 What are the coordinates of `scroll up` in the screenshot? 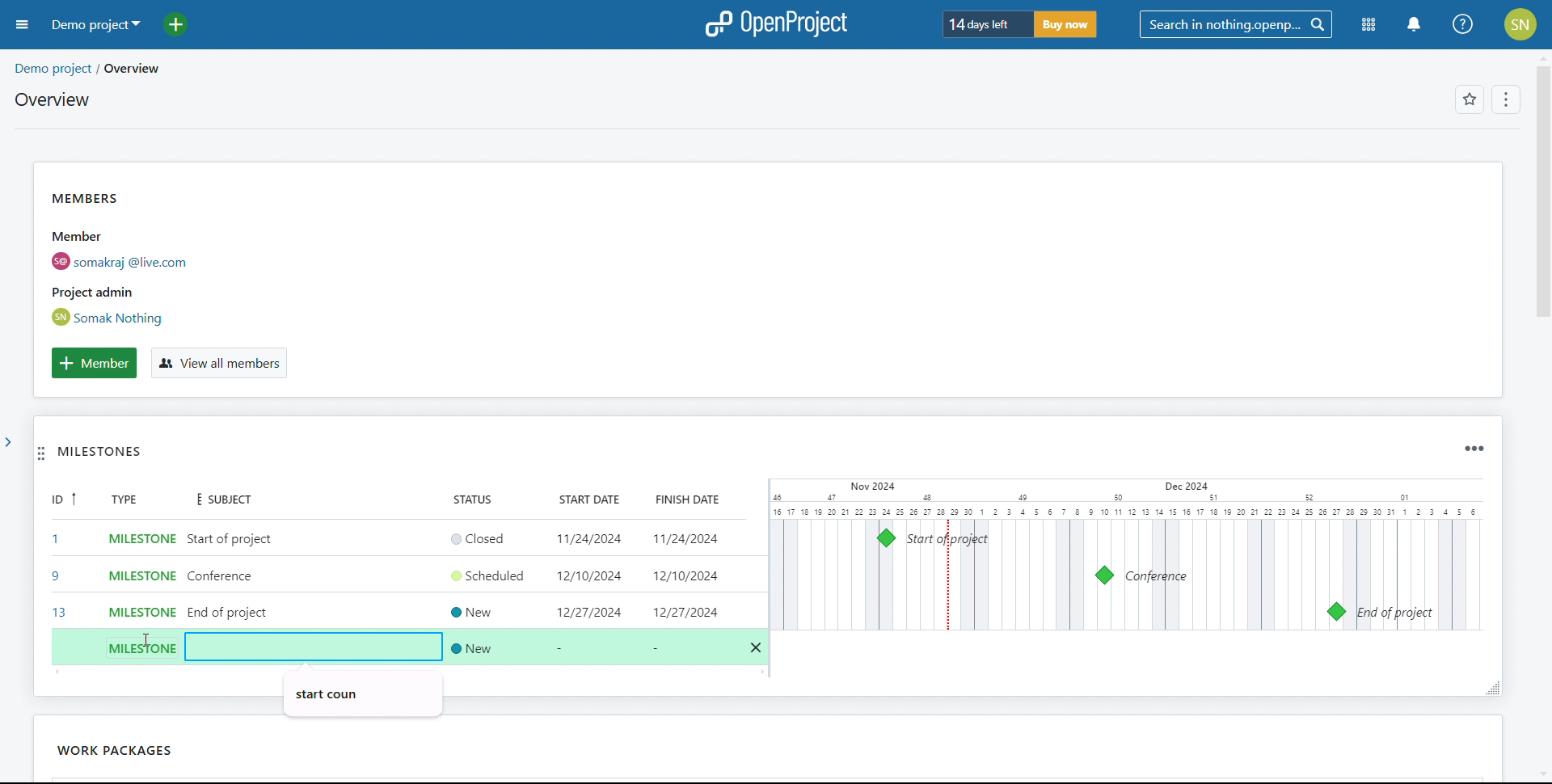 It's located at (1541, 57).